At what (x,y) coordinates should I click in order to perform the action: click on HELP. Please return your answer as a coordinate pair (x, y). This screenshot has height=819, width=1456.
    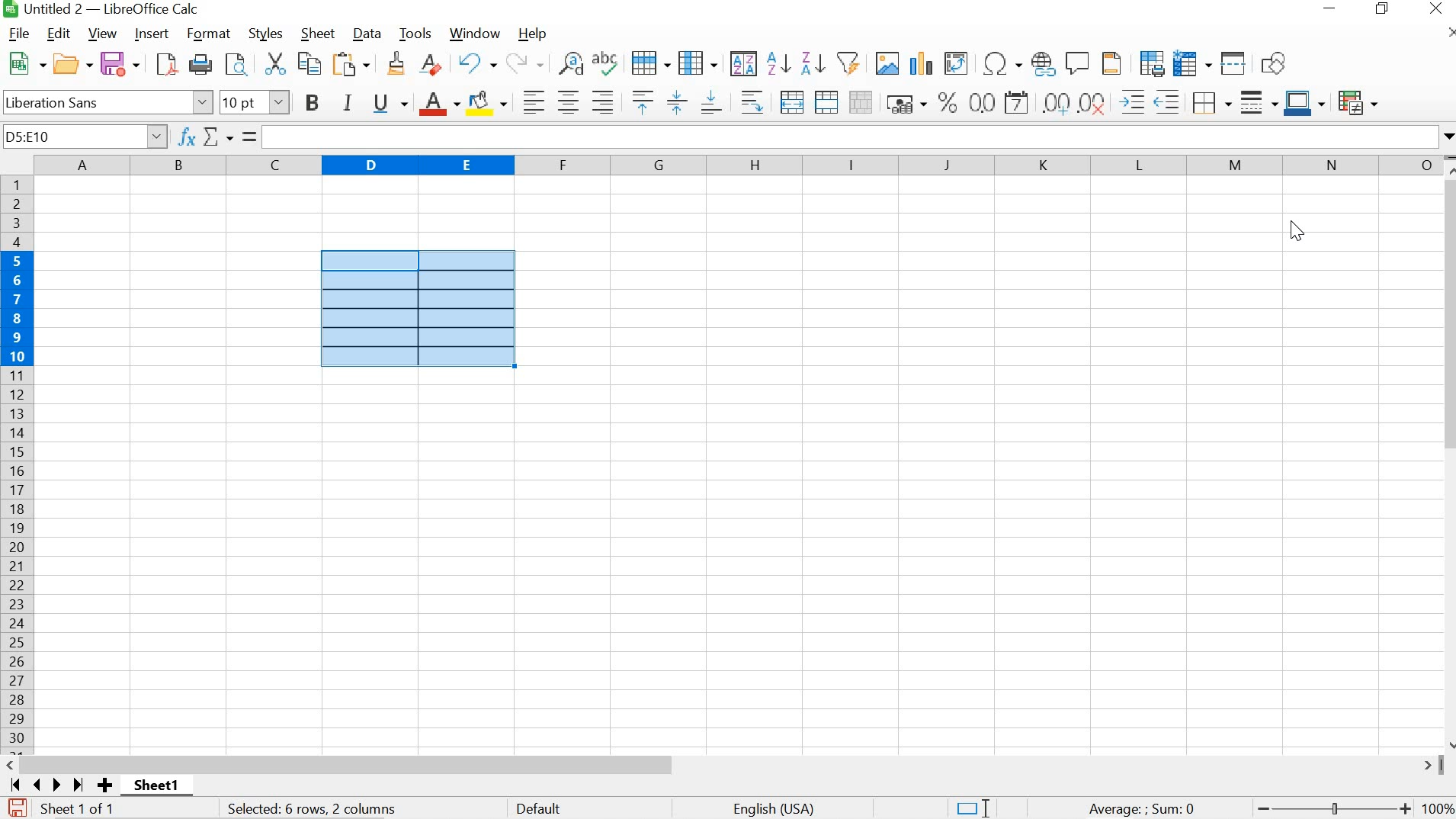
    Looking at the image, I should click on (531, 34).